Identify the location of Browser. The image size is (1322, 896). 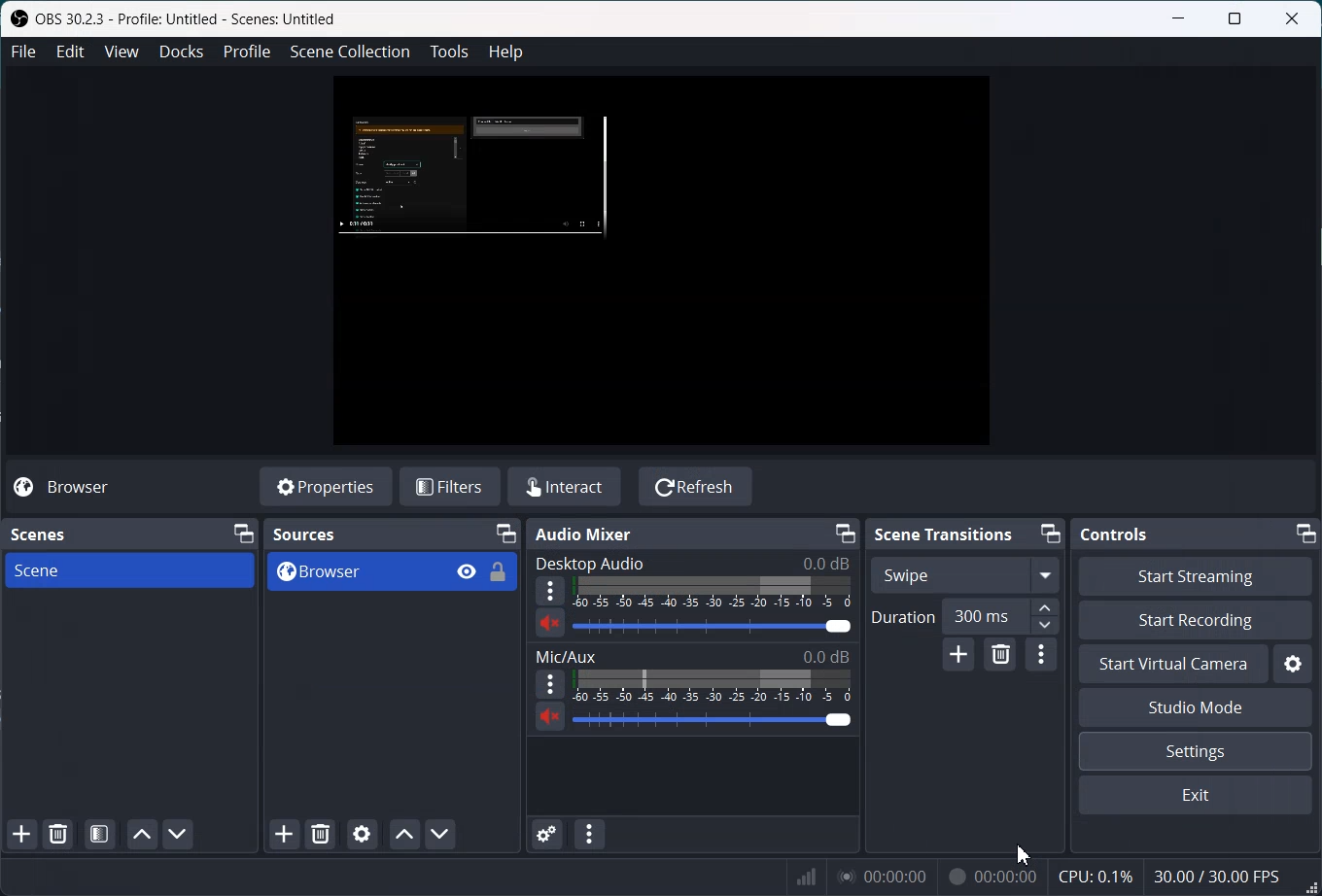
(78, 488).